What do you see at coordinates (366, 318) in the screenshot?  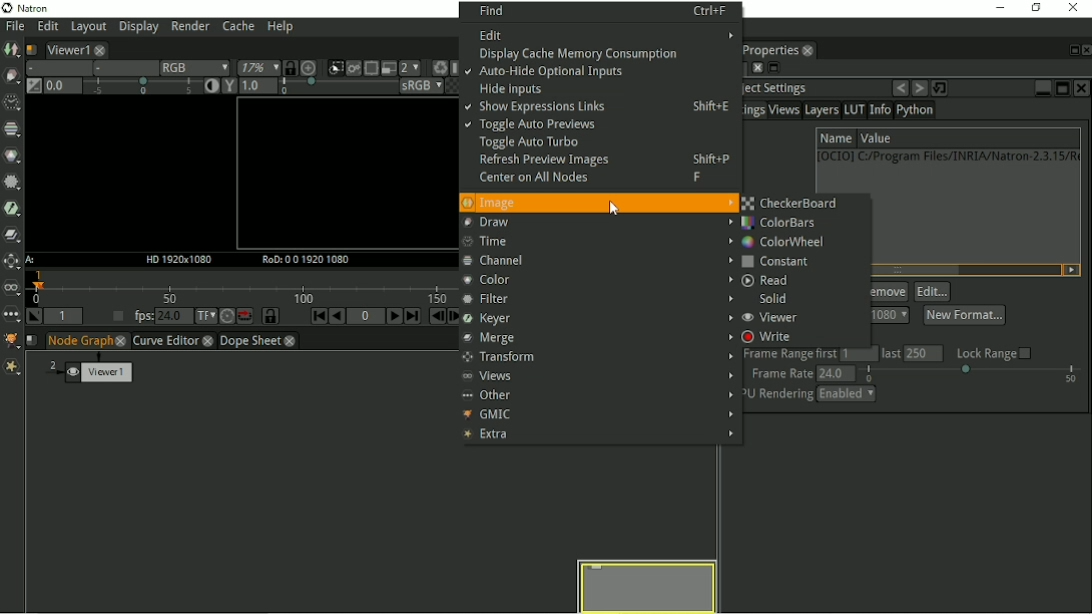 I see `Current frame` at bounding box center [366, 318].